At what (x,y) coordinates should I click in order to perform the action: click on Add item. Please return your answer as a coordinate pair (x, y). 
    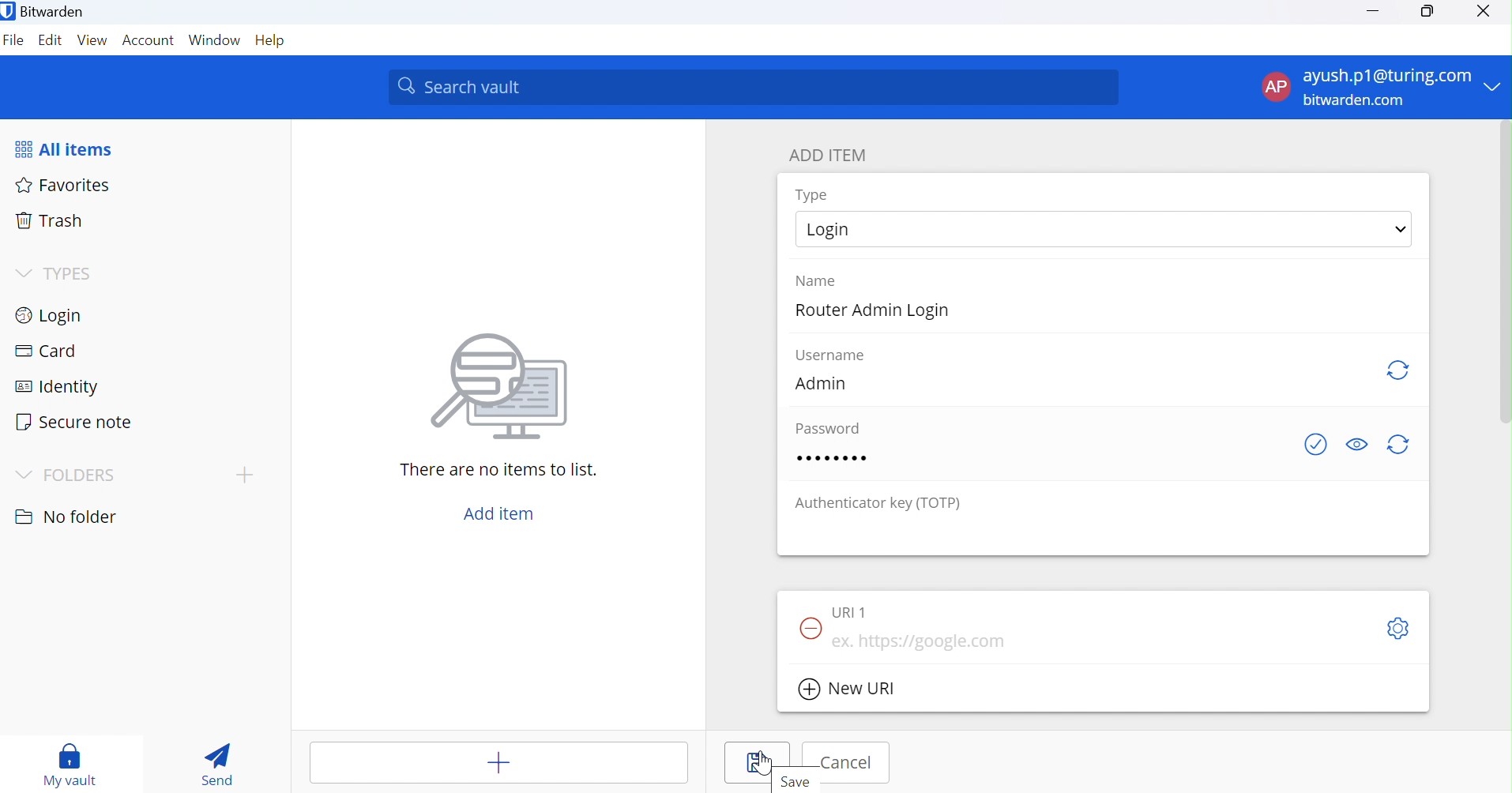
    Looking at the image, I should click on (498, 513).